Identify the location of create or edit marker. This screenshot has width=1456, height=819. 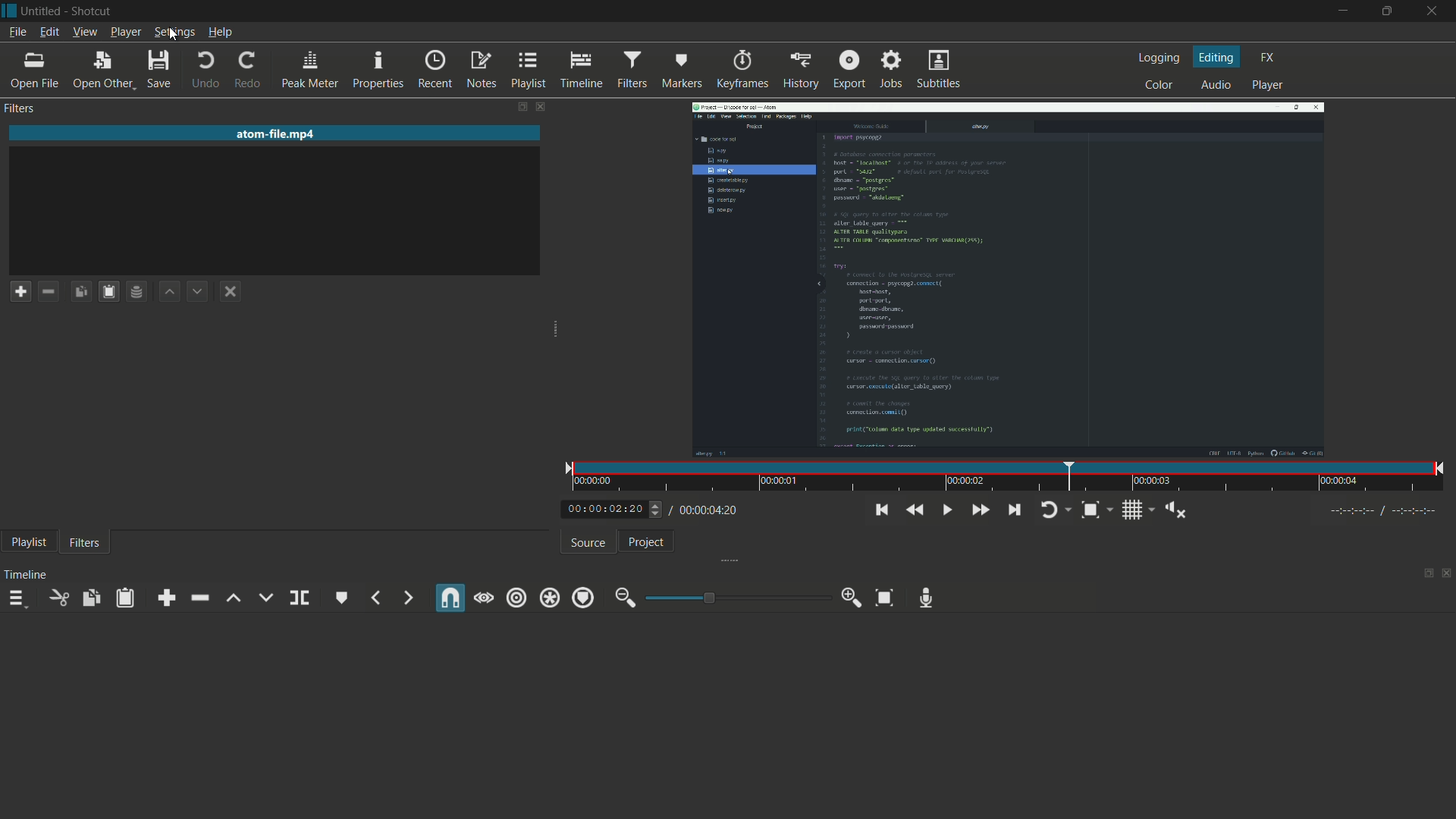
(342, 597).